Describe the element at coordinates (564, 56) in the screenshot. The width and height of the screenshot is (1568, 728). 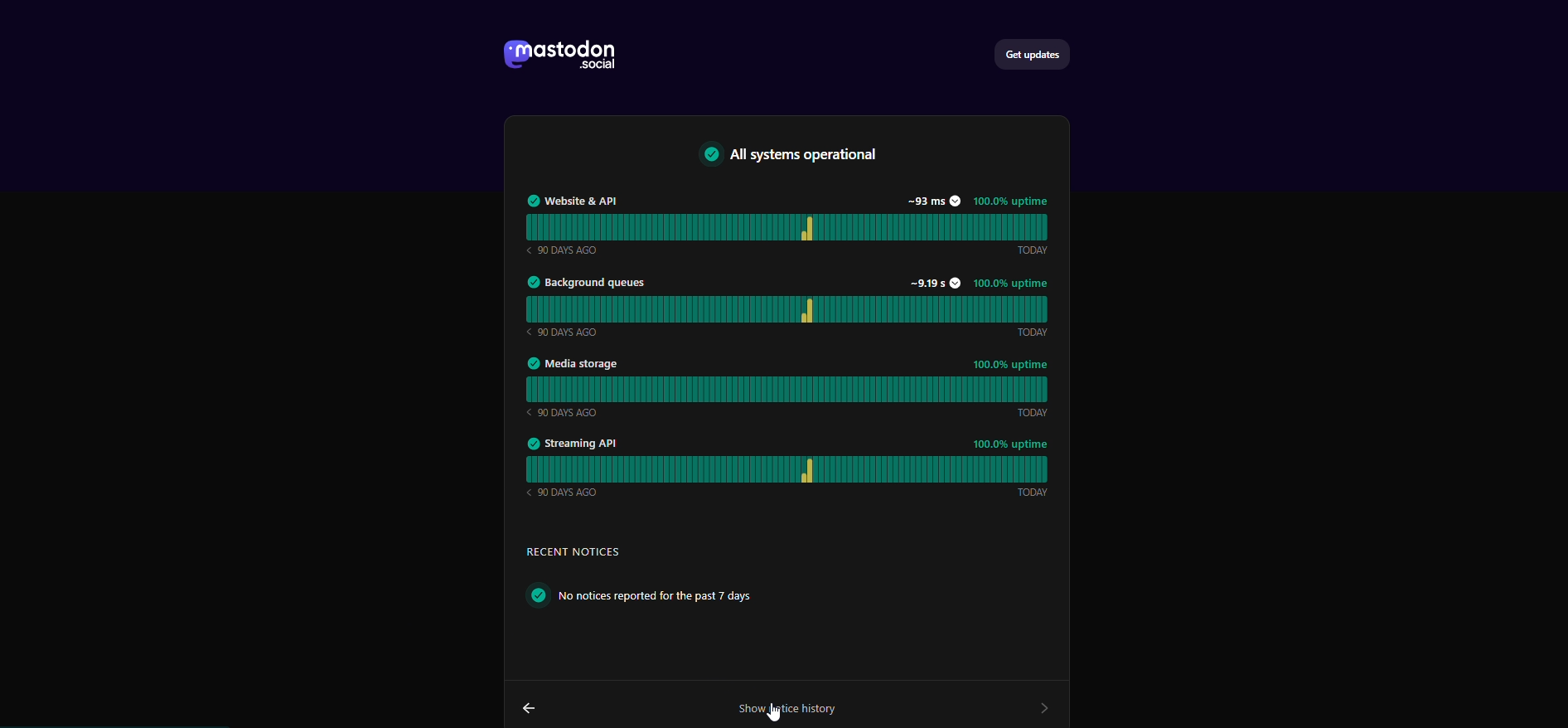
I see `logo` at that location.